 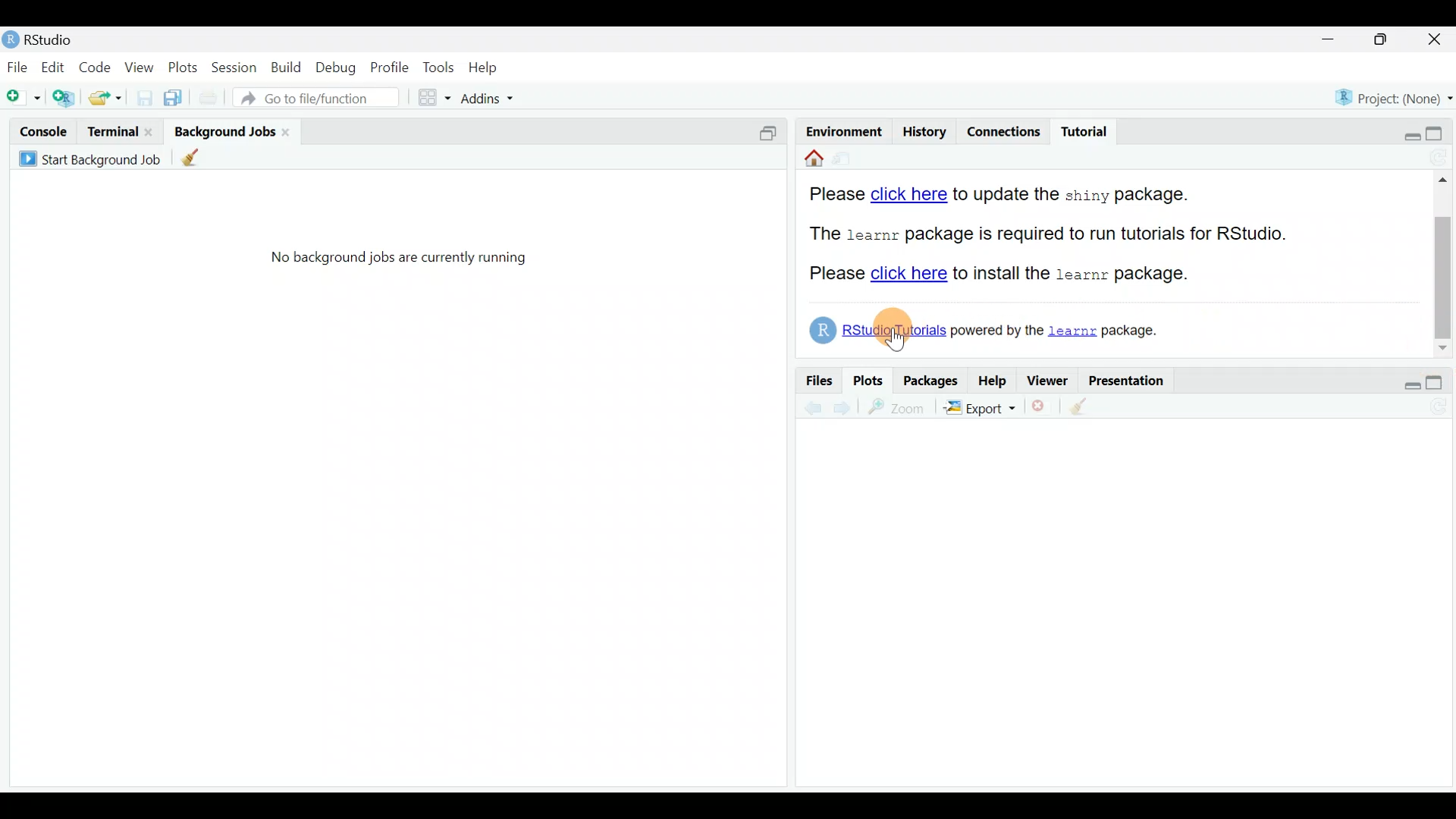 I want to click on No background jobs are currently running, so click(x=406, y=262).